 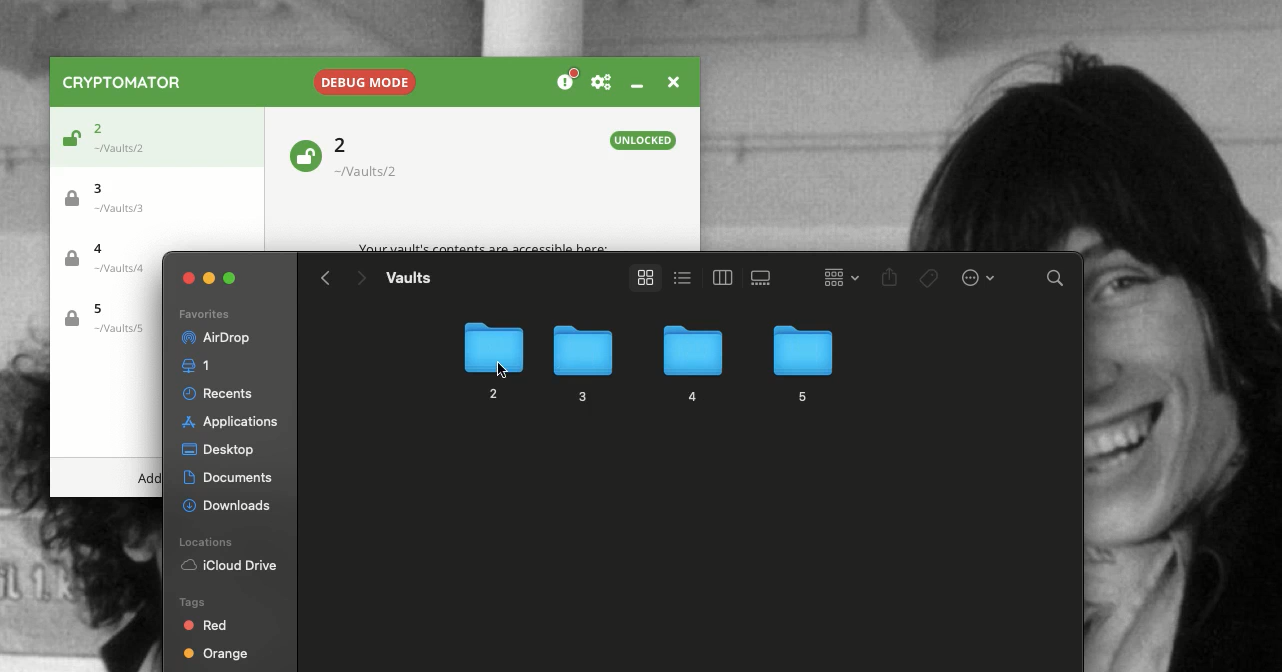 I want to click on 3, so click(x=580, y=364).